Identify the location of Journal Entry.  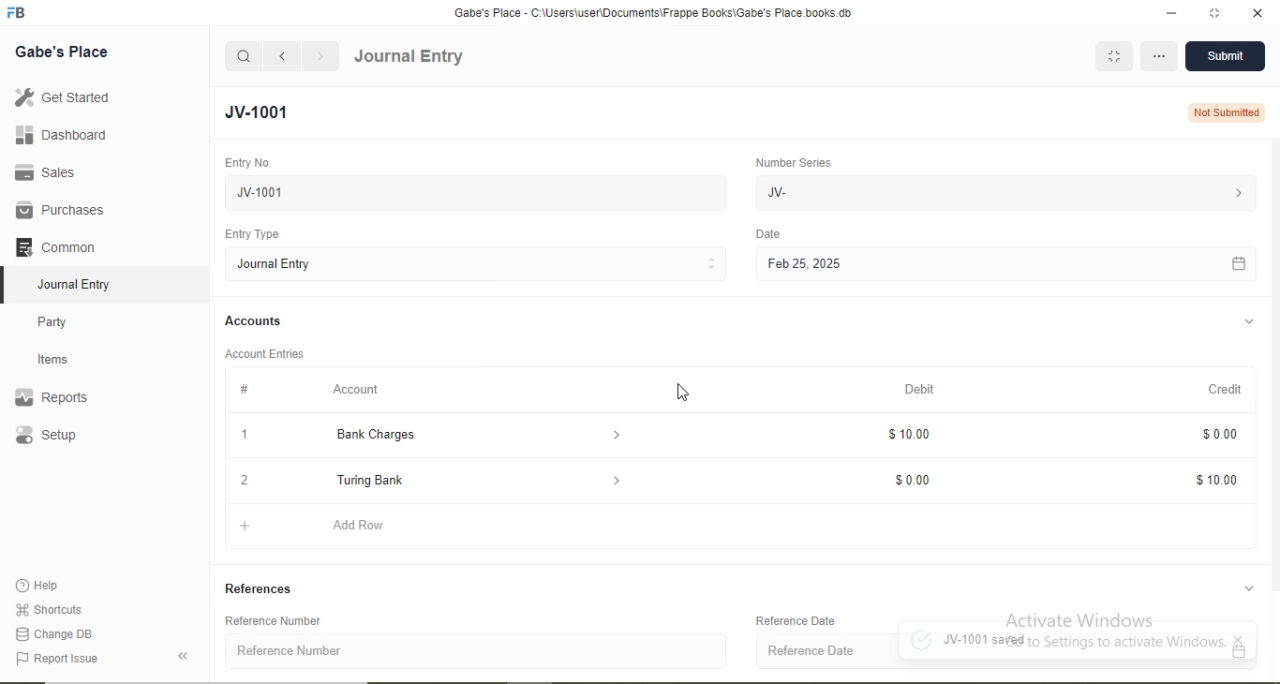
(478, 263).